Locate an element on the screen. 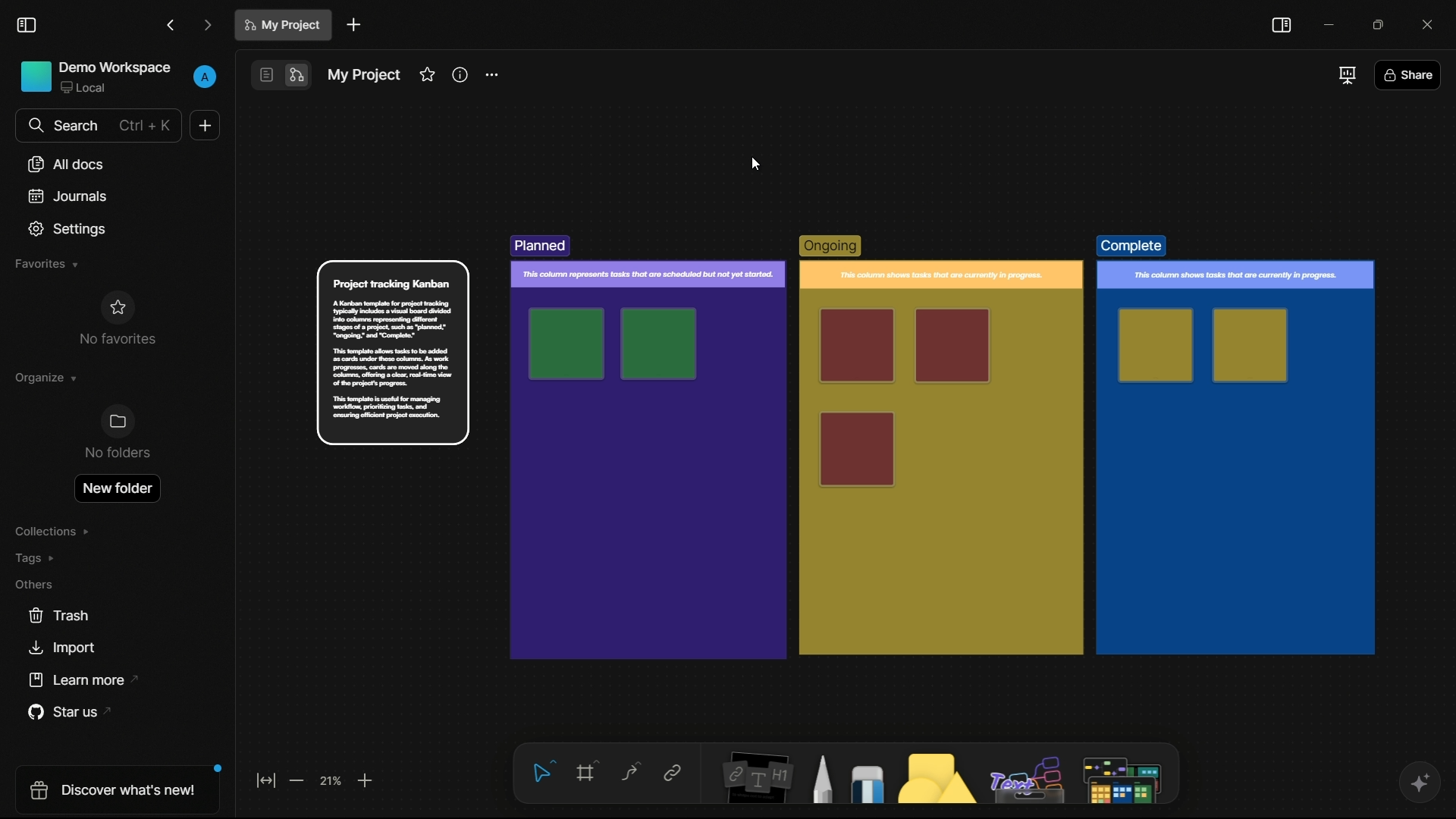 The width and height of the screenshot is (1456, 819). pencil and pen is located at coordinates (821, 778).